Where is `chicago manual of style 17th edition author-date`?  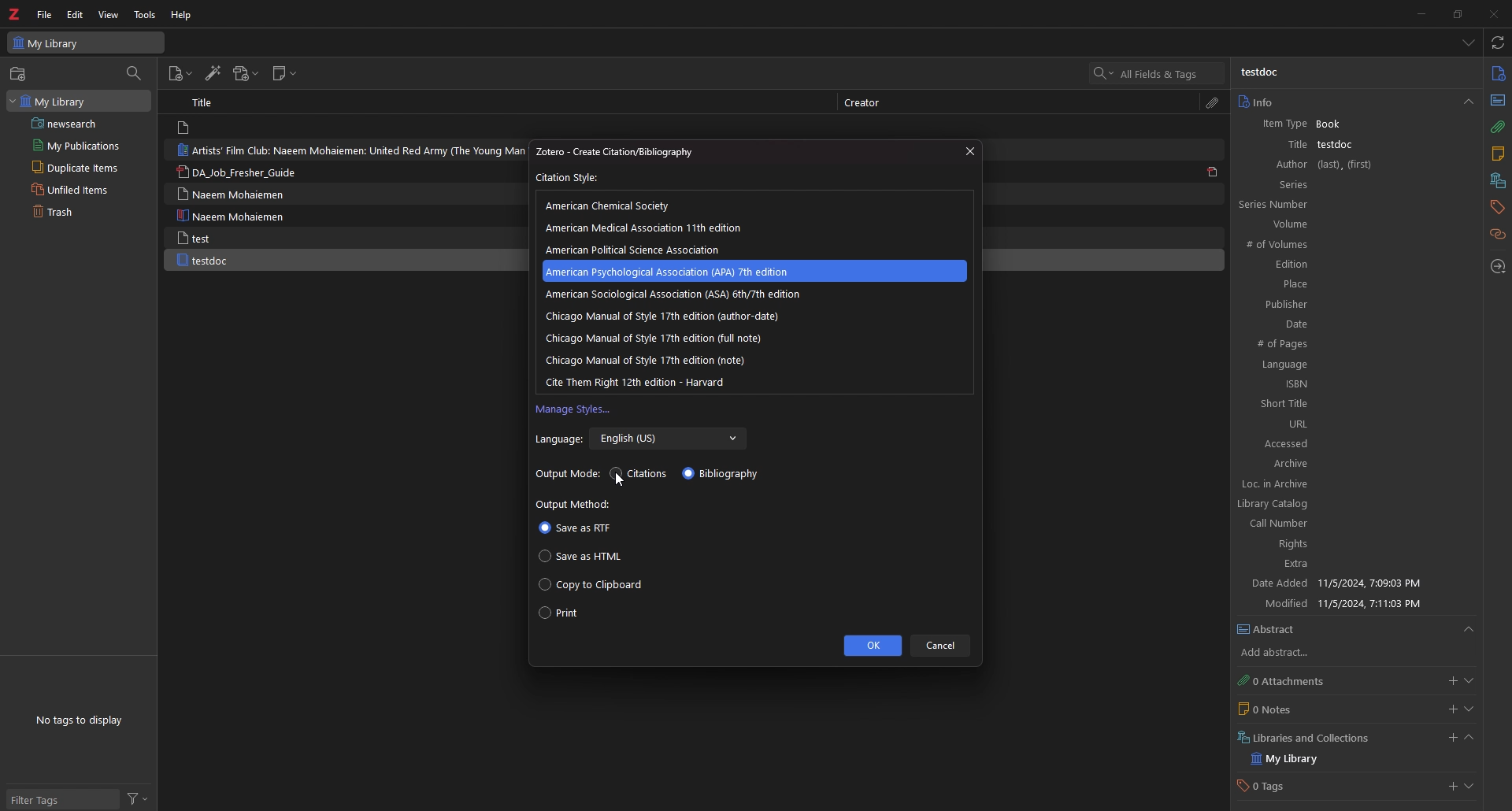
chicago manual of style 17th edition author-date is located at coordinates (661, 316).